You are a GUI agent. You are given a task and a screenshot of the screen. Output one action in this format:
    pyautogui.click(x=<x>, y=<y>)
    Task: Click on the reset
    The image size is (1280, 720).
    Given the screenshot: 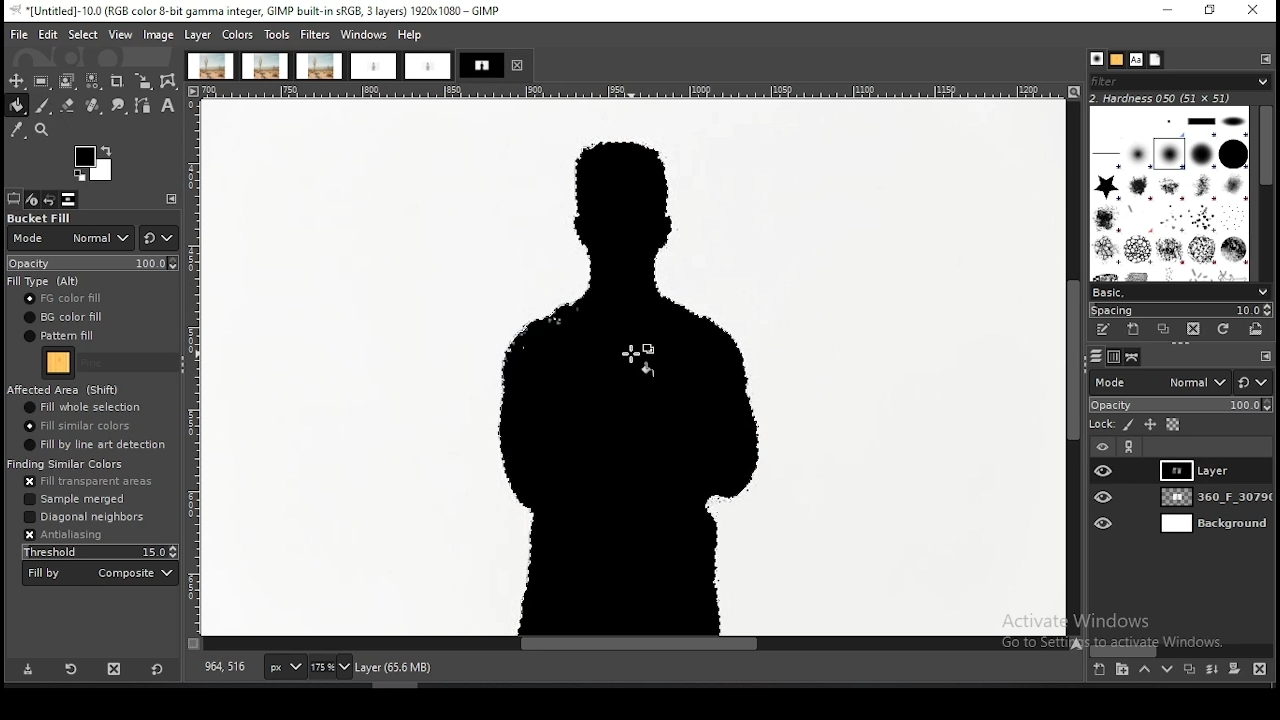 What is the action you would take?
    pyautogui.click(x=158, y=238)
    